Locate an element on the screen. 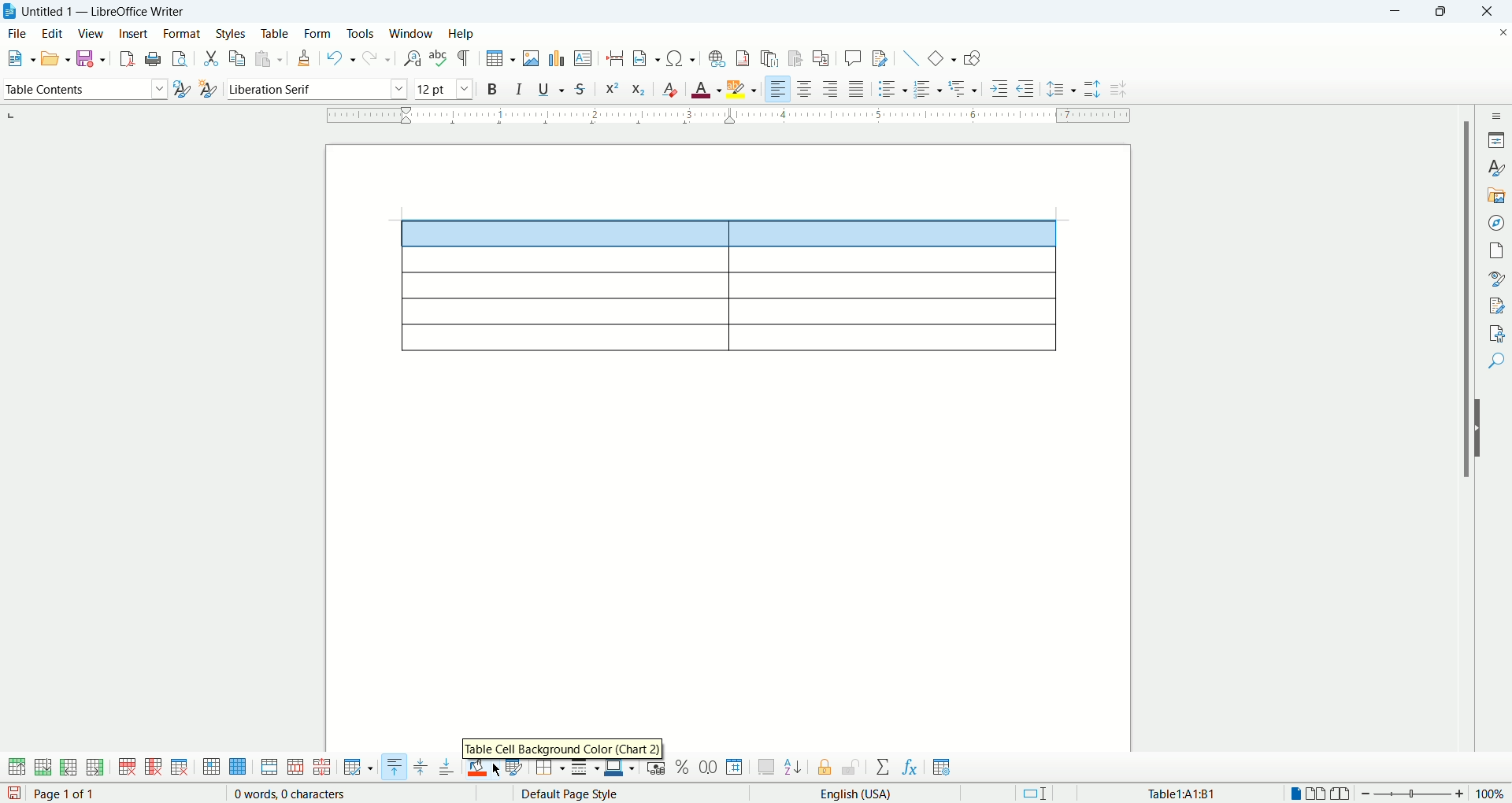  underline is located at coordinates (551, 87).